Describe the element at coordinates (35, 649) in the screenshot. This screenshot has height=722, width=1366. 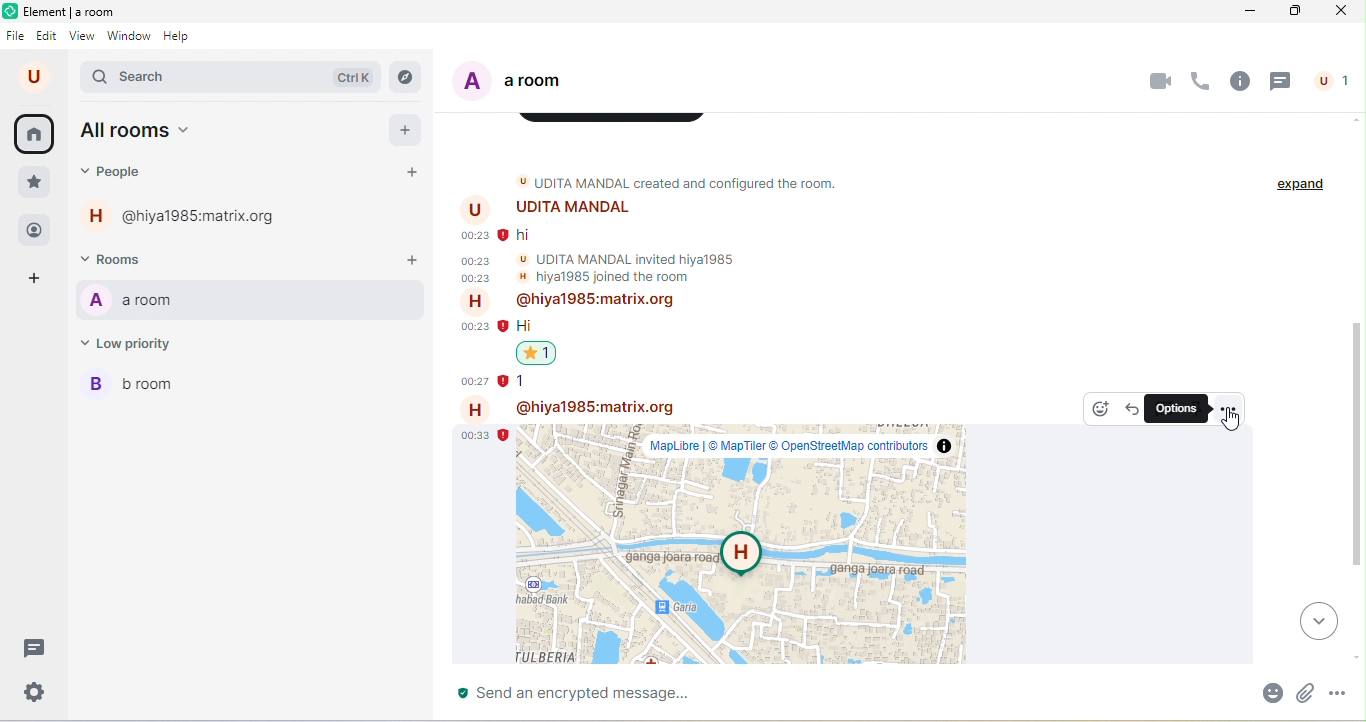
I see `threads` at that location.